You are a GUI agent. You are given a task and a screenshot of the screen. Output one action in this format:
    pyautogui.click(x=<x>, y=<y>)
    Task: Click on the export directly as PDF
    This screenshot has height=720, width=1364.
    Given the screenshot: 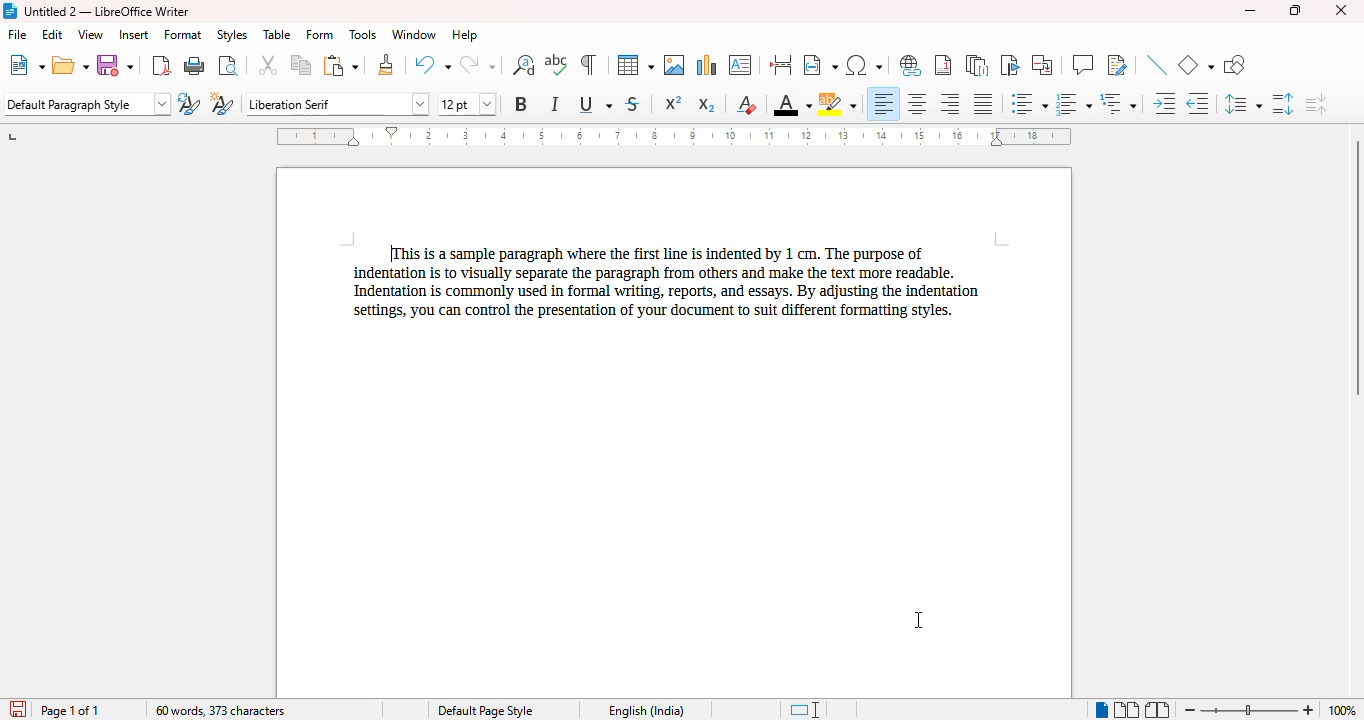 What is the action you would take?
    pyautogui.click(x=160, y=65)
    